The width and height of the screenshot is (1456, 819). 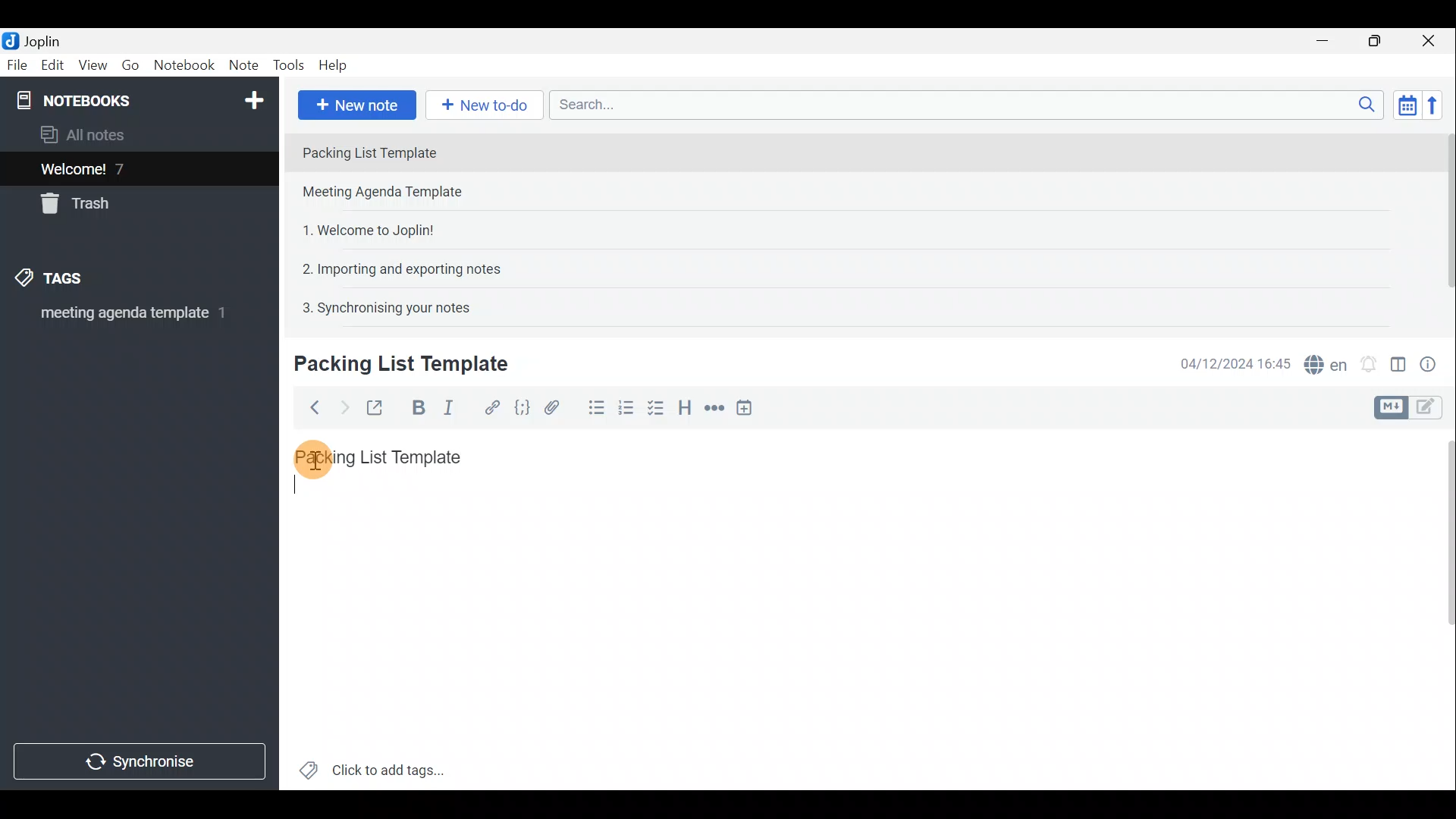 I want to click on Close, so click(x=1433, y=40).